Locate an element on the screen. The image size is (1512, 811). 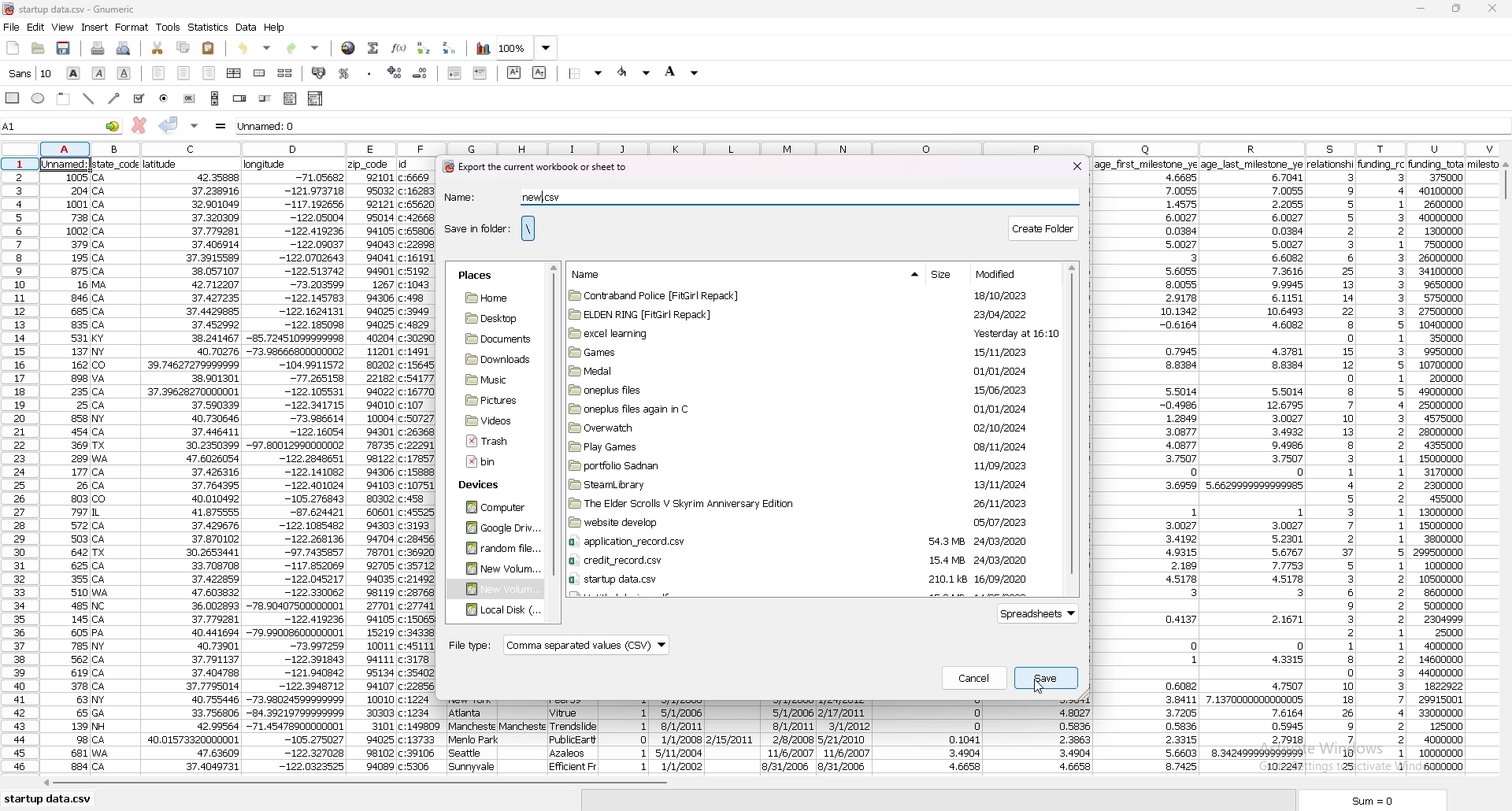
background is located at coordinates (682, 72).